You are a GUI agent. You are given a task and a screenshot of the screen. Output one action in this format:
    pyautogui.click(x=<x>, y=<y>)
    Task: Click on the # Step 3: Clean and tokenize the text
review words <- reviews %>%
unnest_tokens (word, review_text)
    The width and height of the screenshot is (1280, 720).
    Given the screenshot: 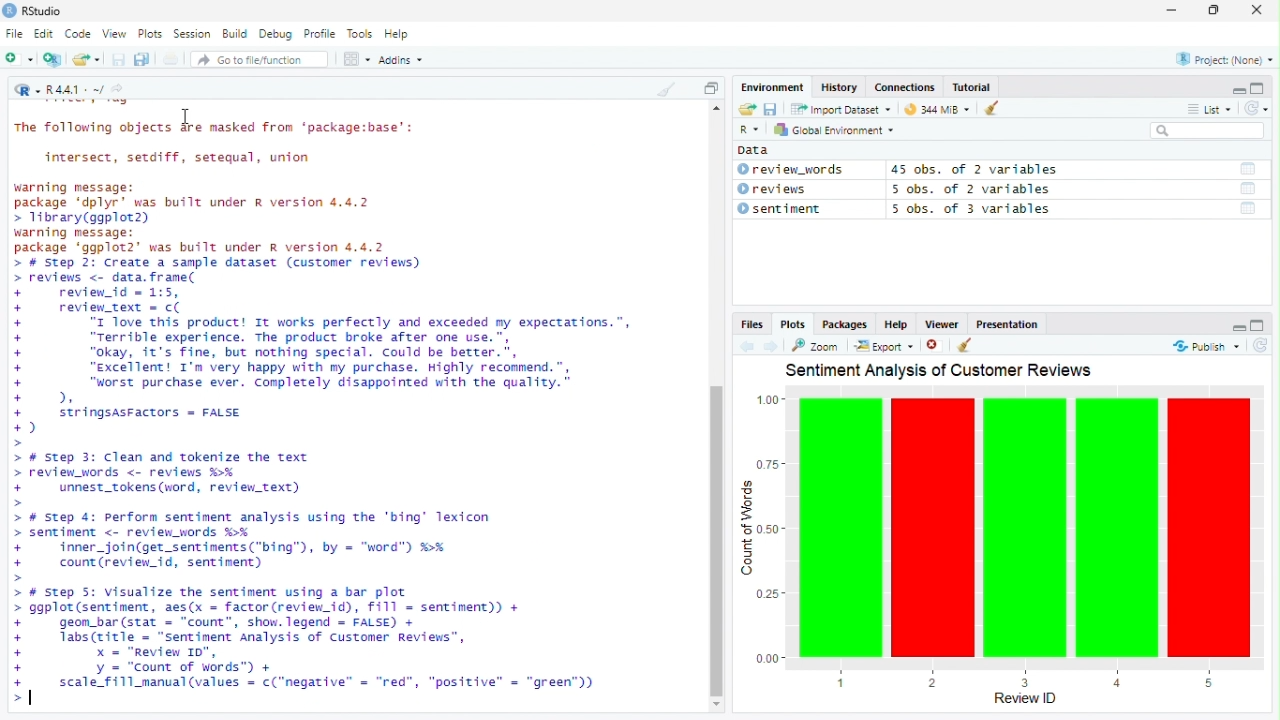 What is the action you would take?
    pyautogui.click(x=166, y=474)
    